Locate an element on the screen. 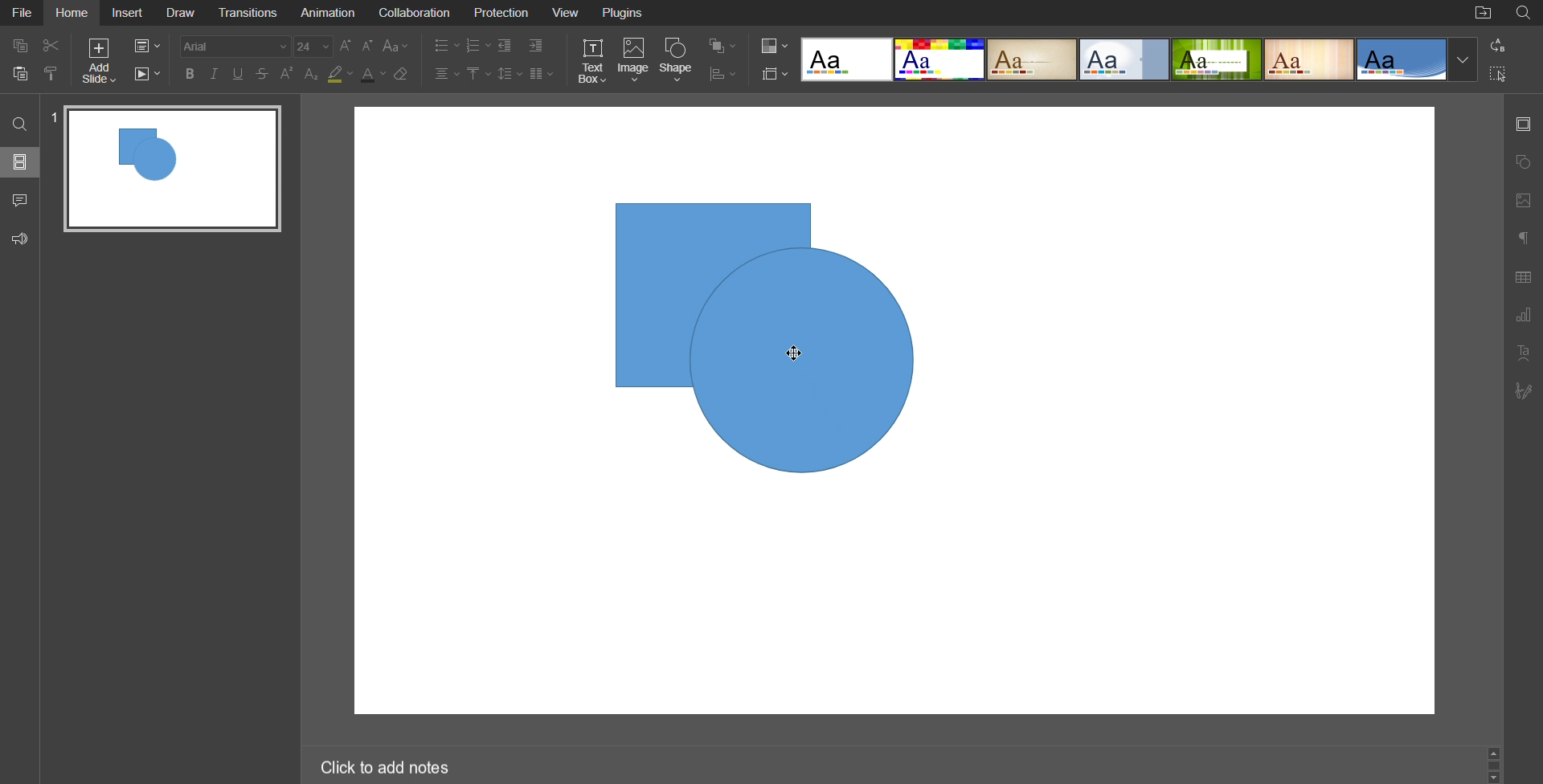 This screenshot has height=784, width=1543. Copy Style is located at coordinates (51, 75).